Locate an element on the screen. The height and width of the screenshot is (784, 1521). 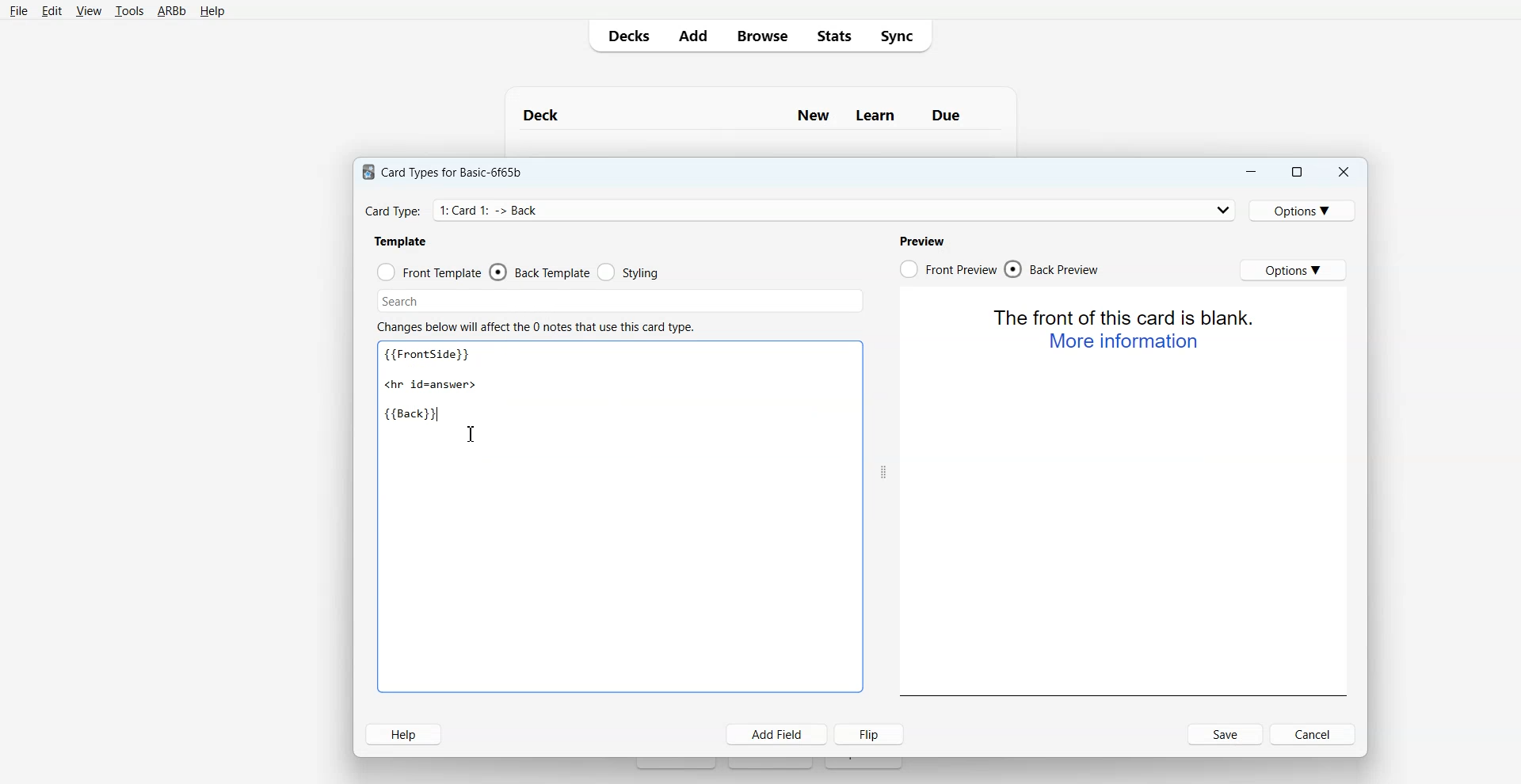
Text 2 is located at coordinates (1126, 329).